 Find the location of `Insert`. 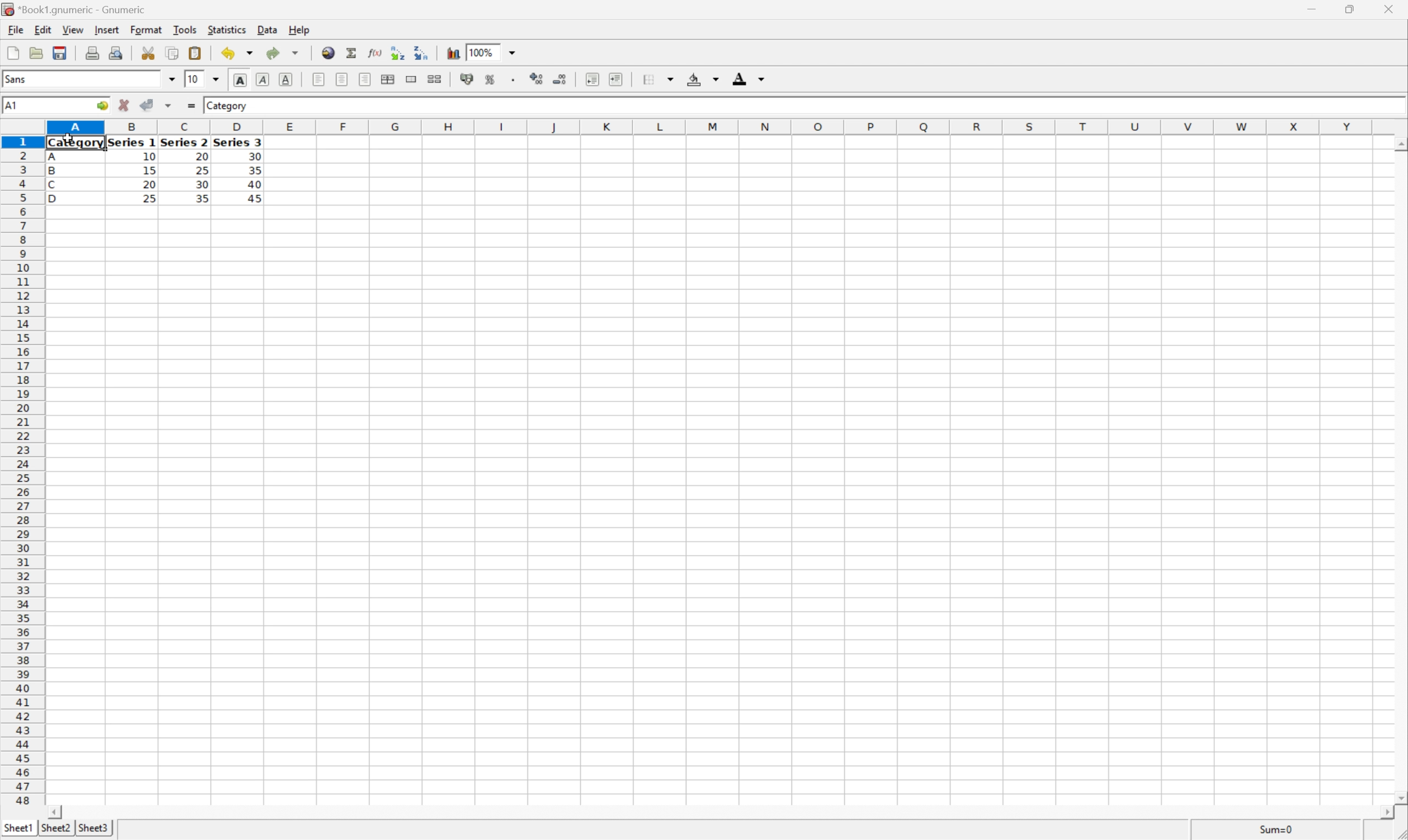

Insert is located at coordinates (108, 30).